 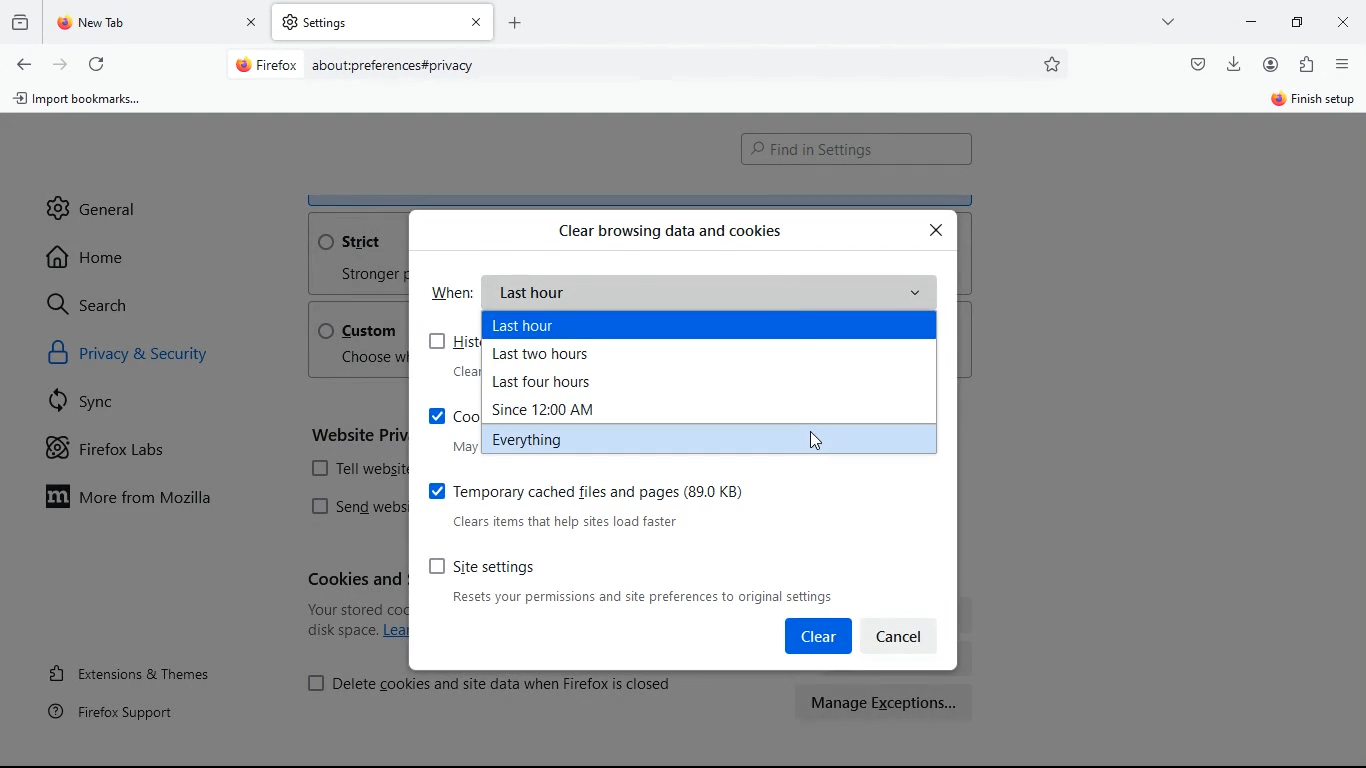 I want to click on when, so click(x=453, y=291).